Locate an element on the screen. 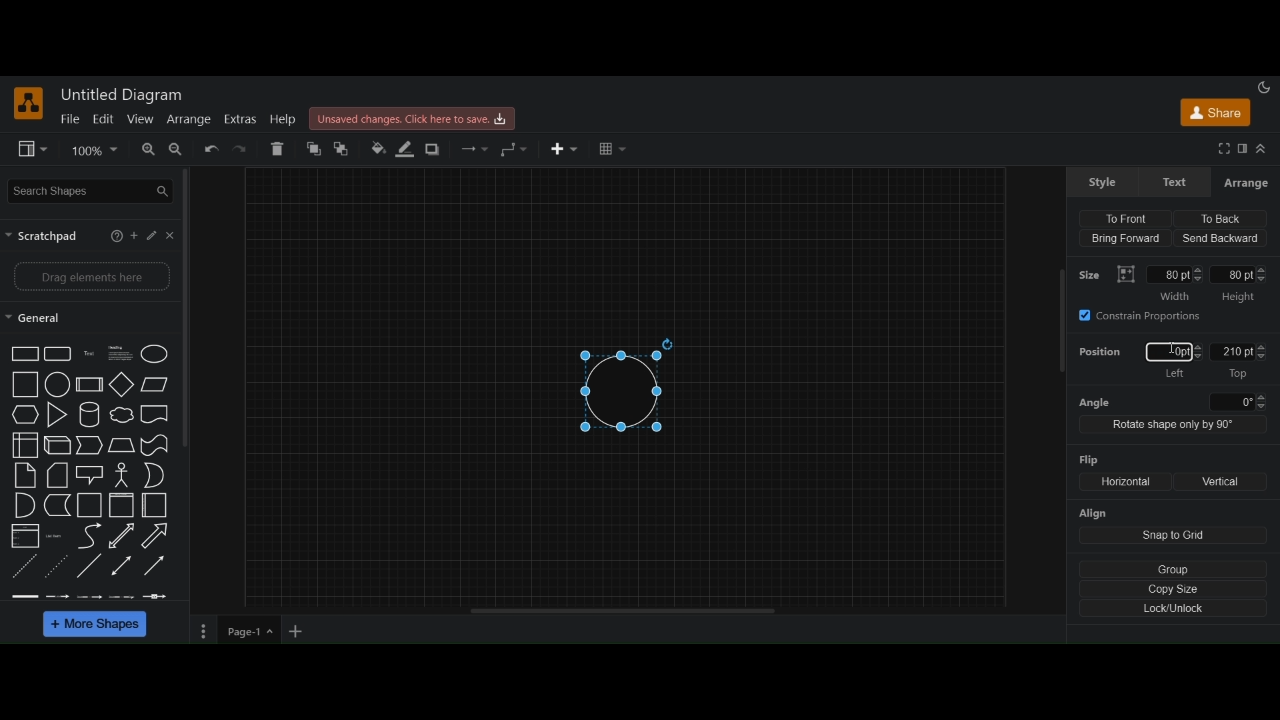 The image size is (1280, 720). flip is located at coordinates (1084, 460).